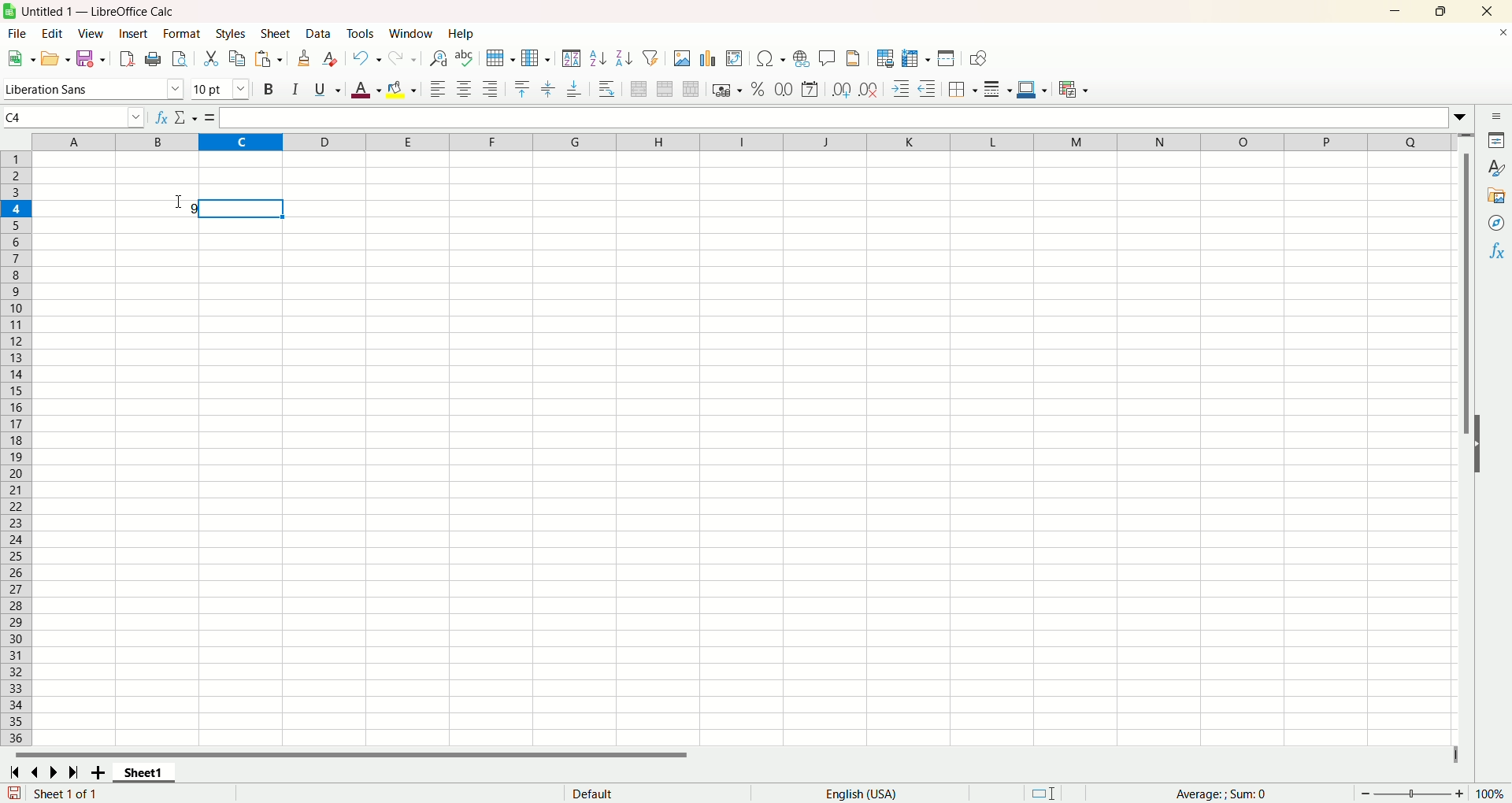 The width and height of the screenshot is (1512, 803). I want to click on insert hyperlink, so click(800, 61).